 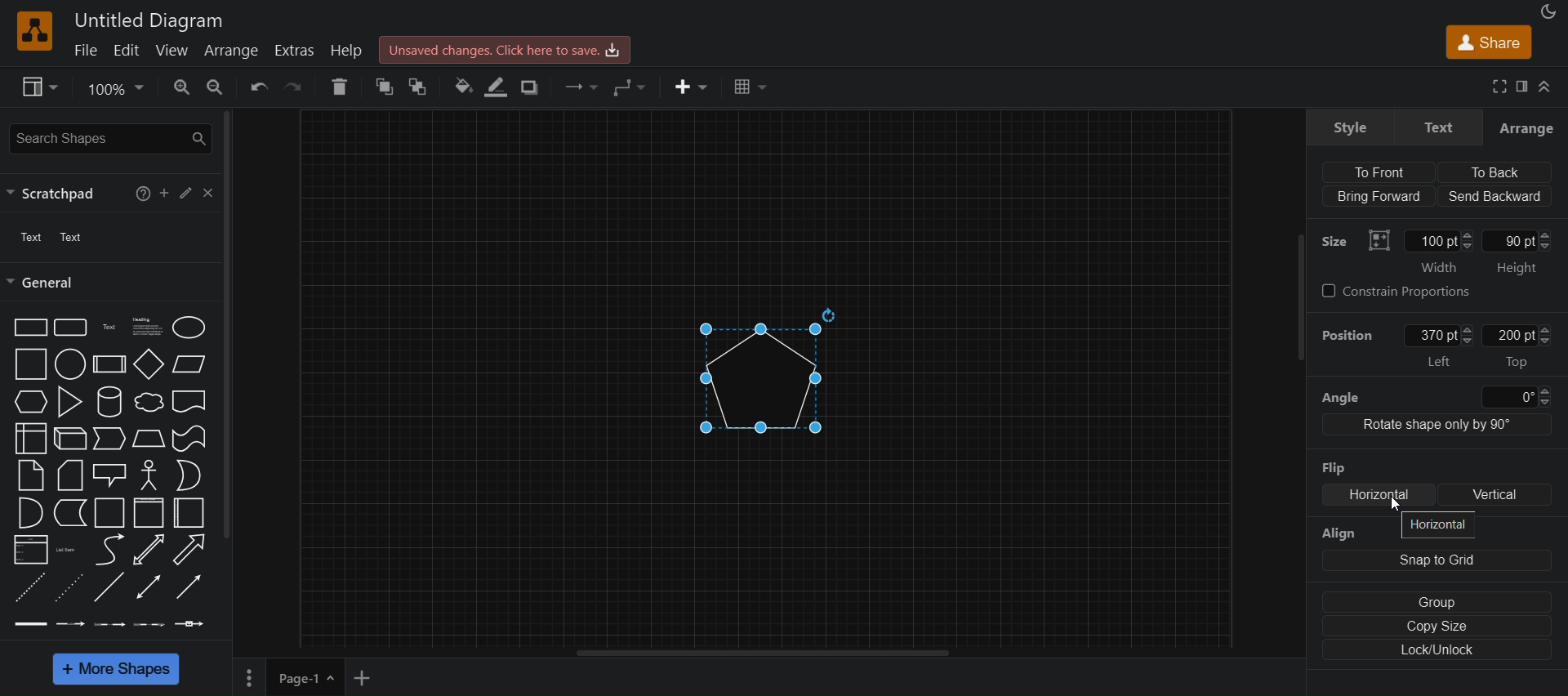 I want to click on to back, so click(x=420, y=86).